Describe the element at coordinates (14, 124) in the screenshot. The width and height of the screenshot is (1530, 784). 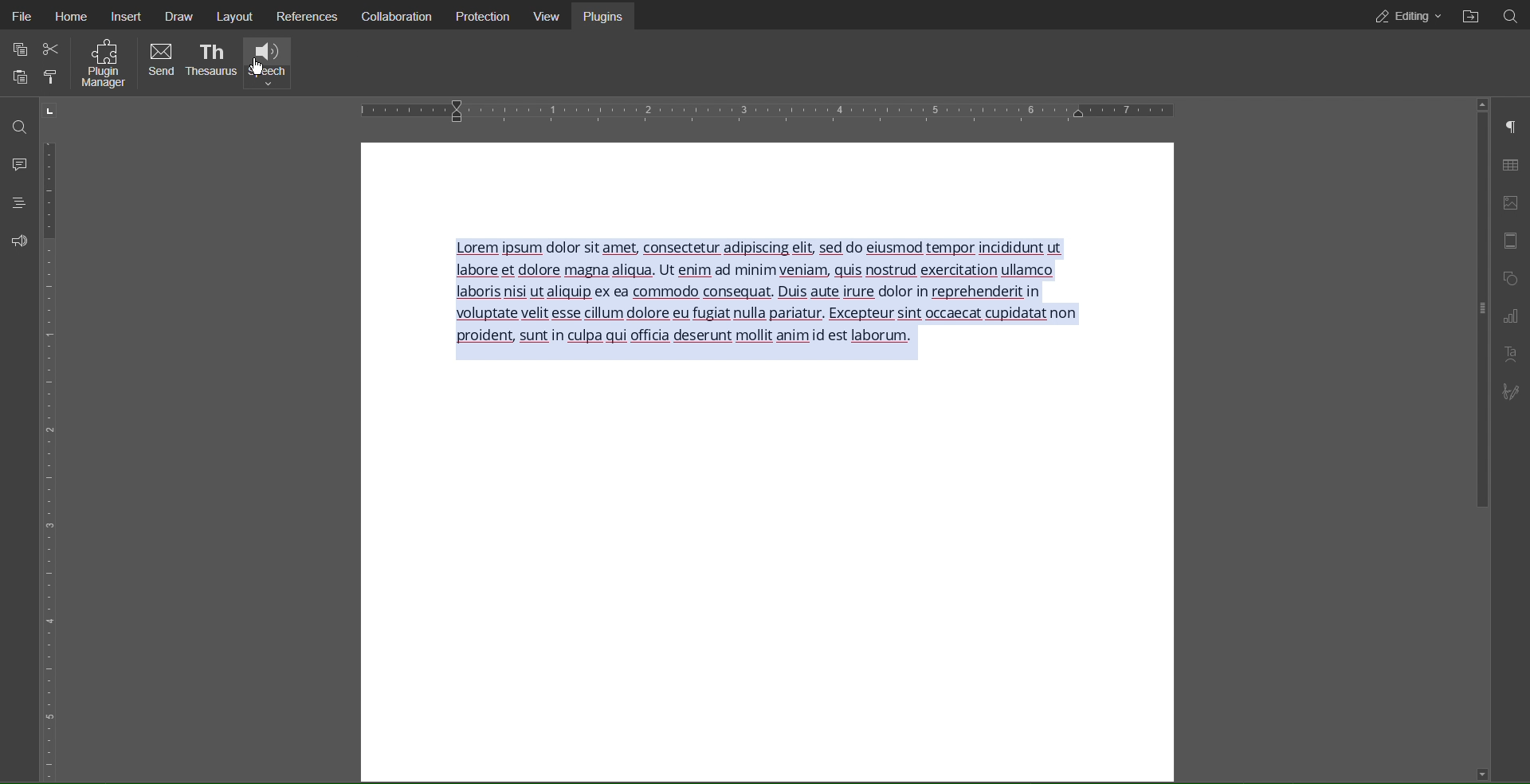
I see `Search` at that location.